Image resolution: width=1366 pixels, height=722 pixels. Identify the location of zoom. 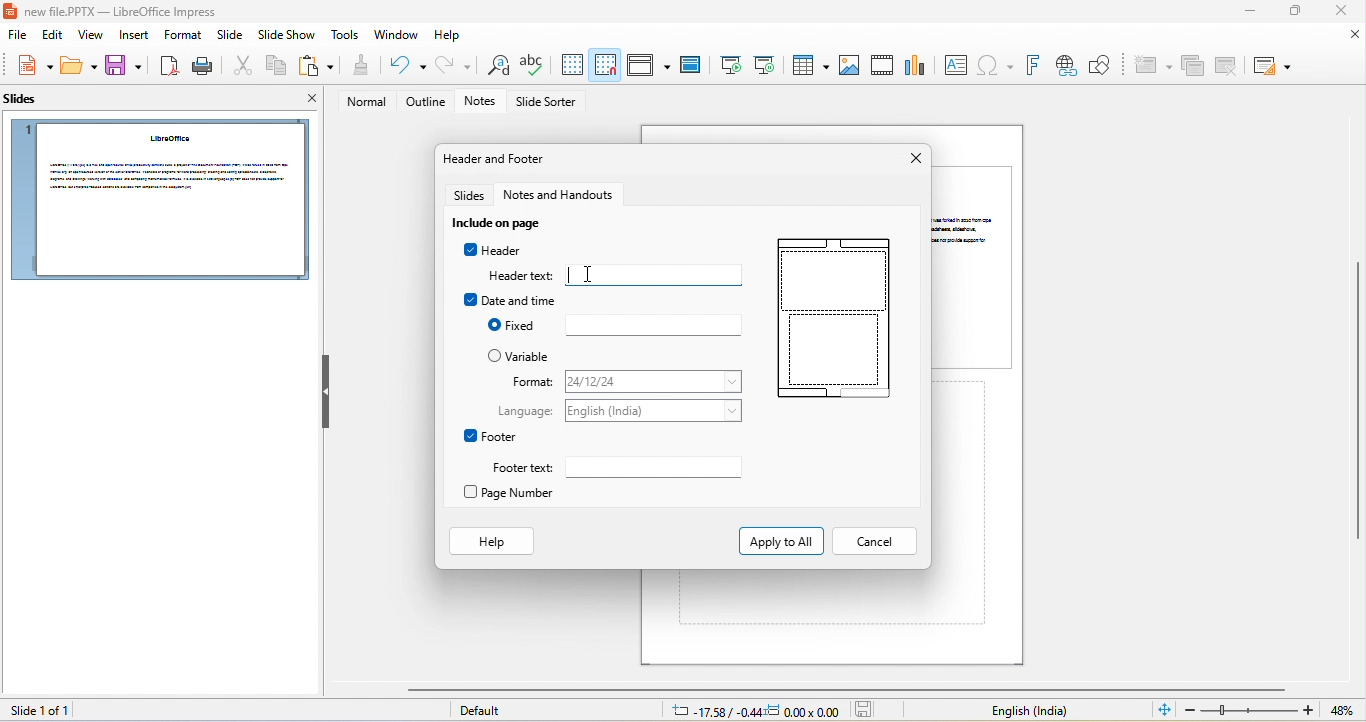
(1250, 710).